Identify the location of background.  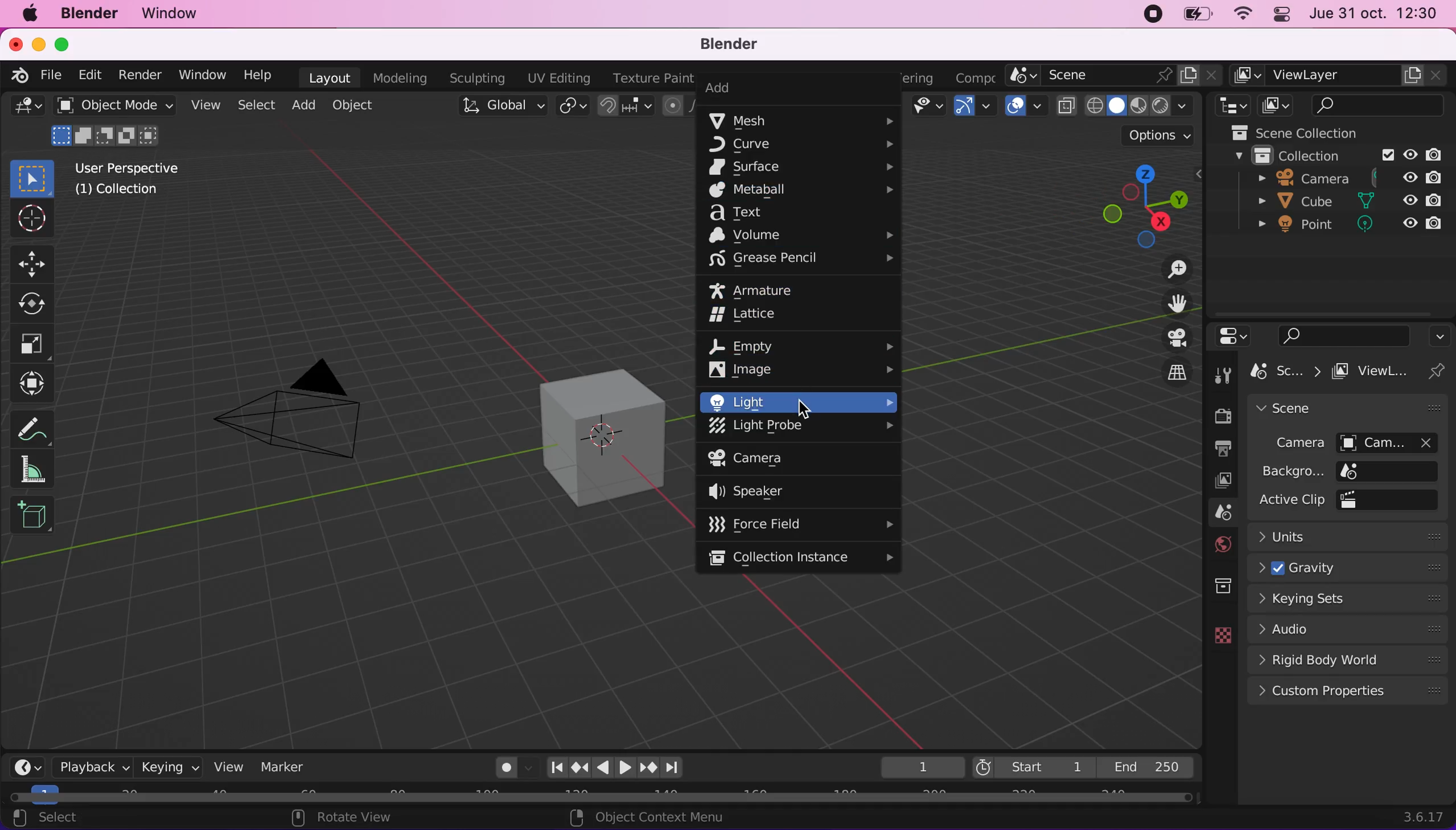
(1292, 471).